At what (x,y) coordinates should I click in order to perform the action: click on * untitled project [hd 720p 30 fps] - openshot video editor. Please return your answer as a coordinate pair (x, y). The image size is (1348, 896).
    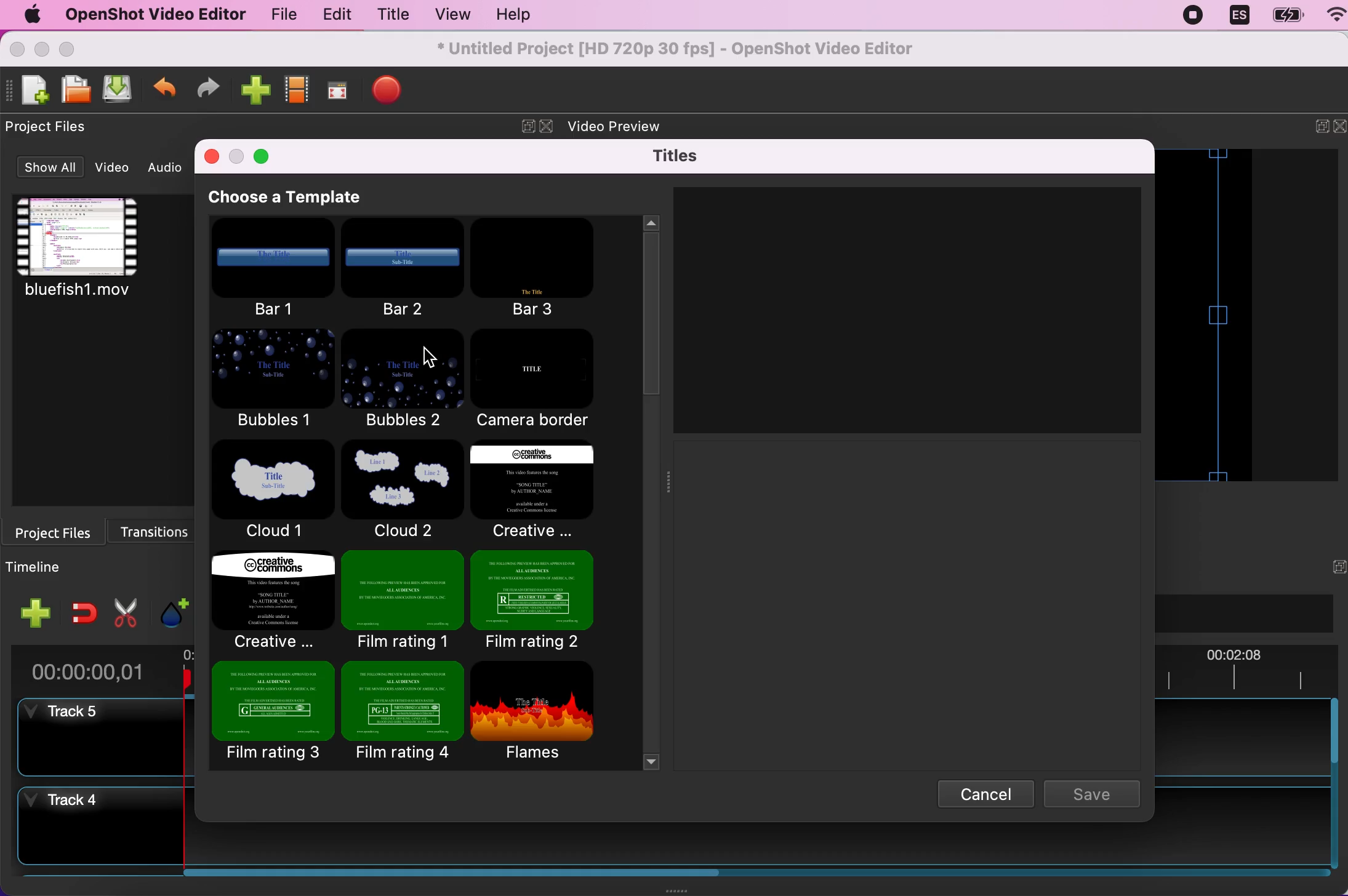
    Looking at the image, I should click on (696, 47).